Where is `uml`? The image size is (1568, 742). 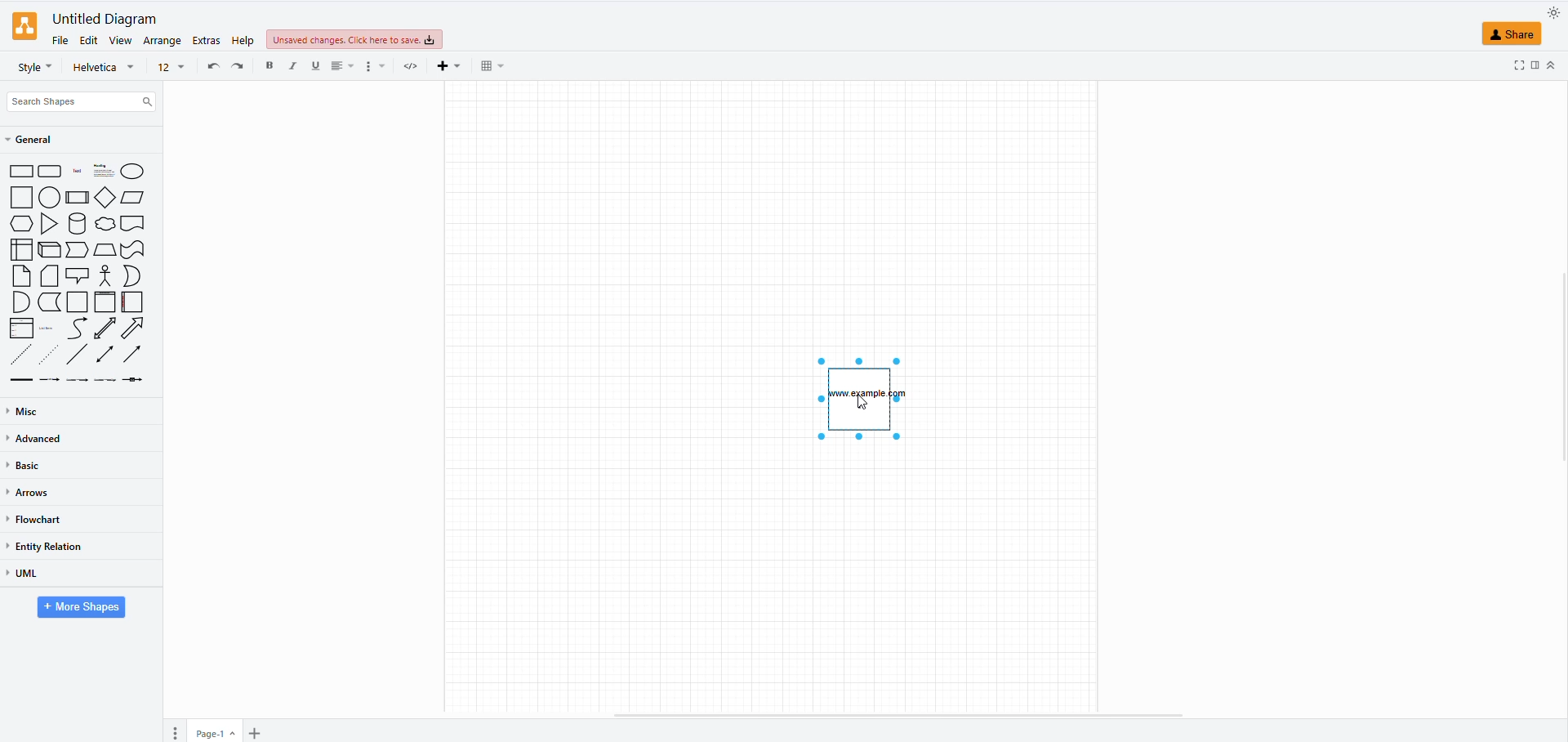
uml is located at coordinates (23, 574).